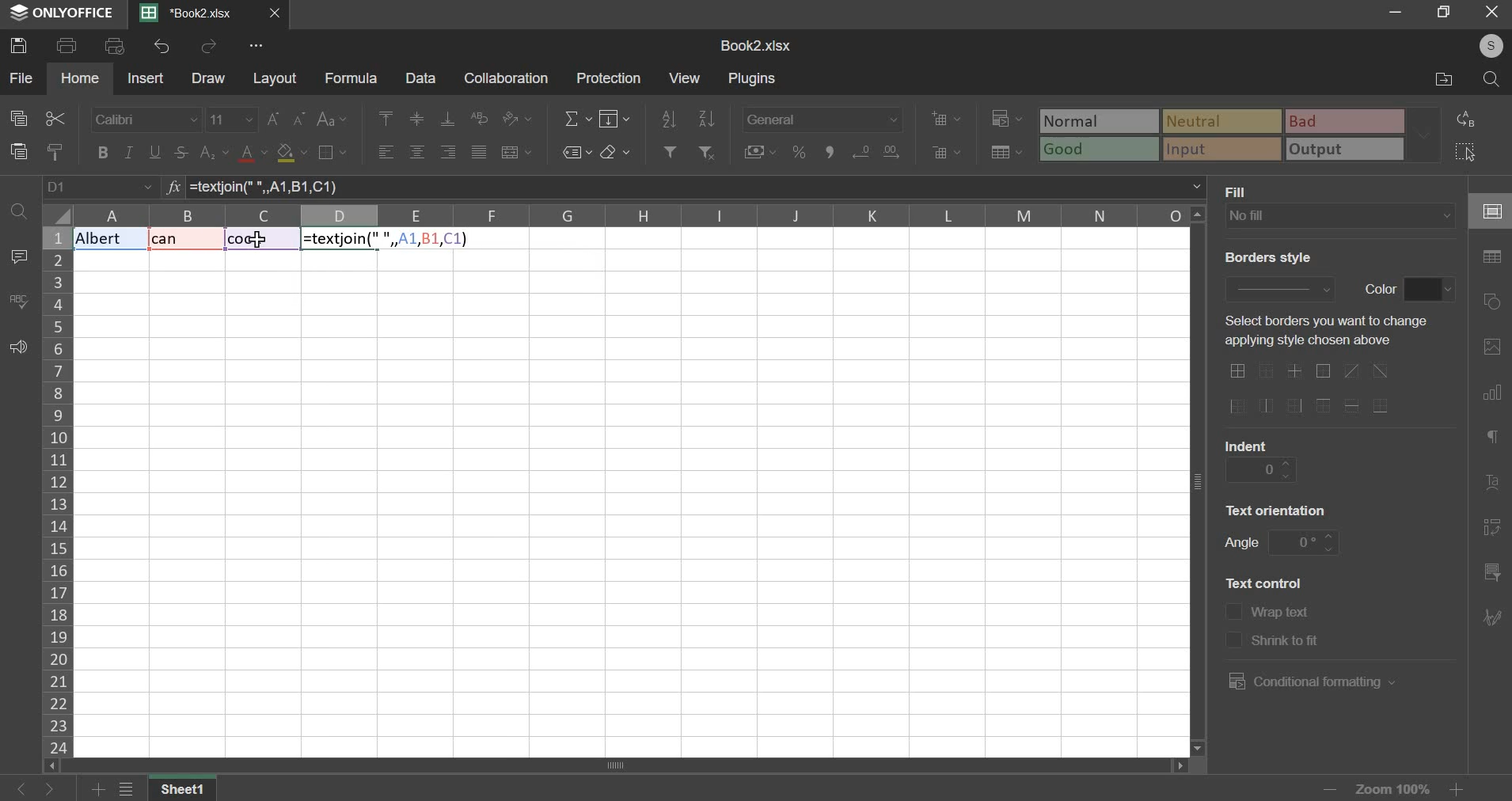 The height and width of the screenshot is (801, 1512). I want to click on align bottom, so click(448, 119).